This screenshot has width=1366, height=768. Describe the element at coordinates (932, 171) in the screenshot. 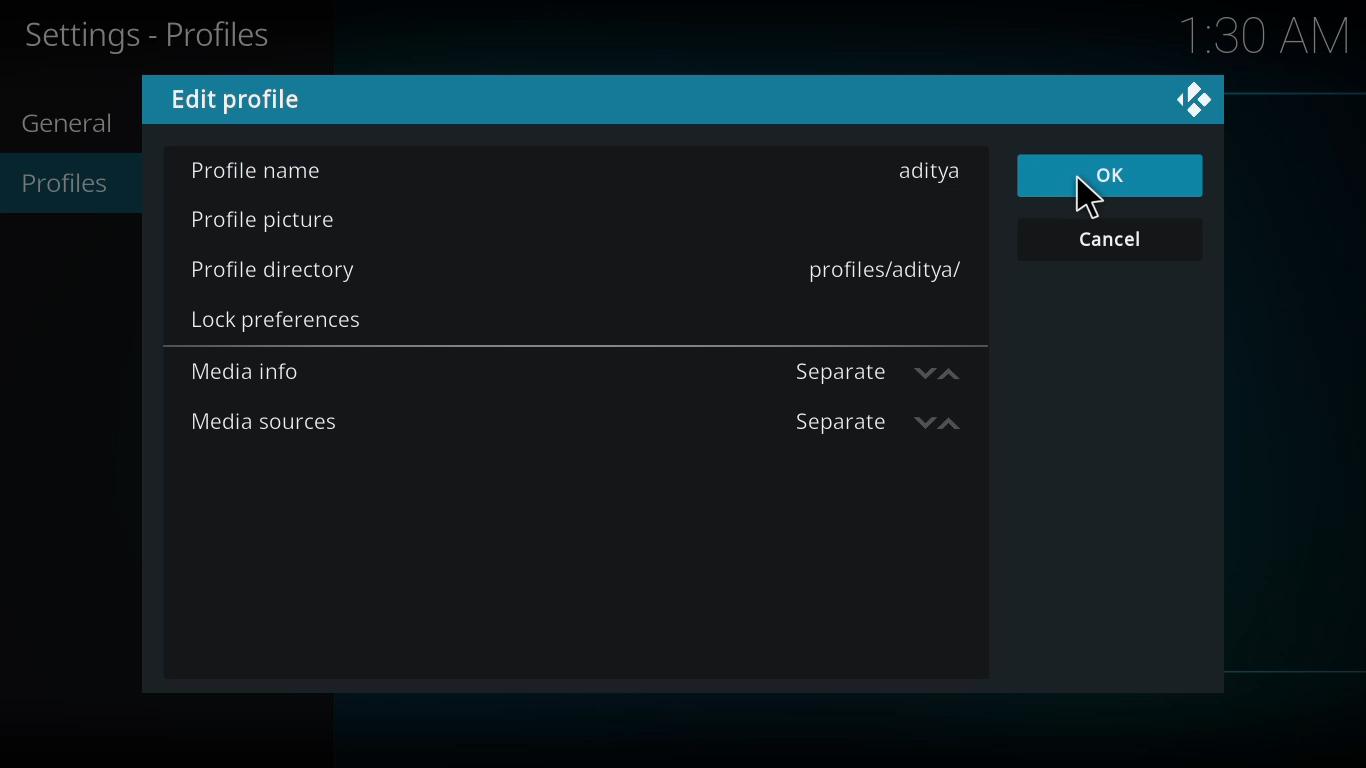

I see `aditya` at that location.